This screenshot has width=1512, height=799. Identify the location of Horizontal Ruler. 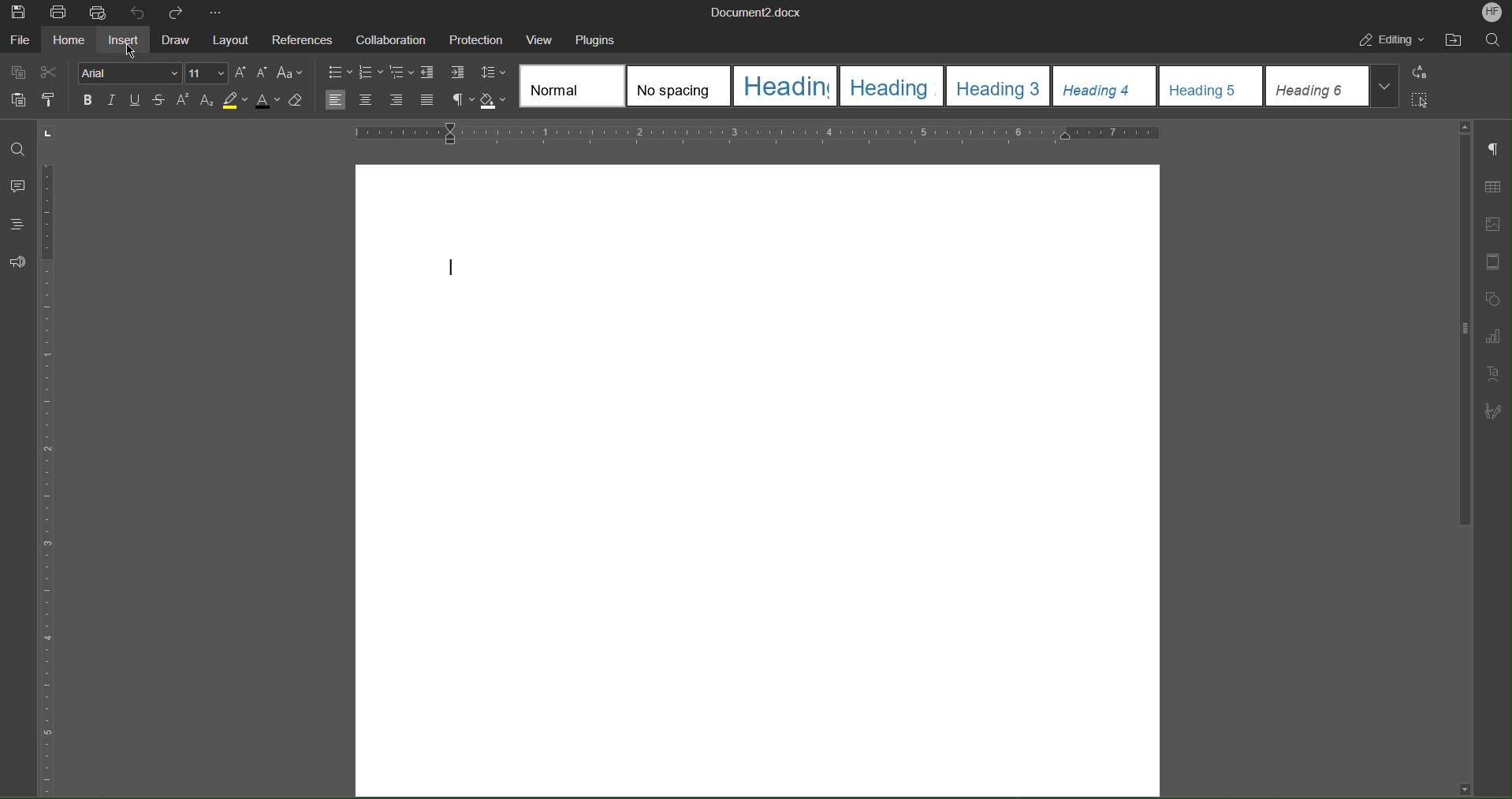
(755, 134).